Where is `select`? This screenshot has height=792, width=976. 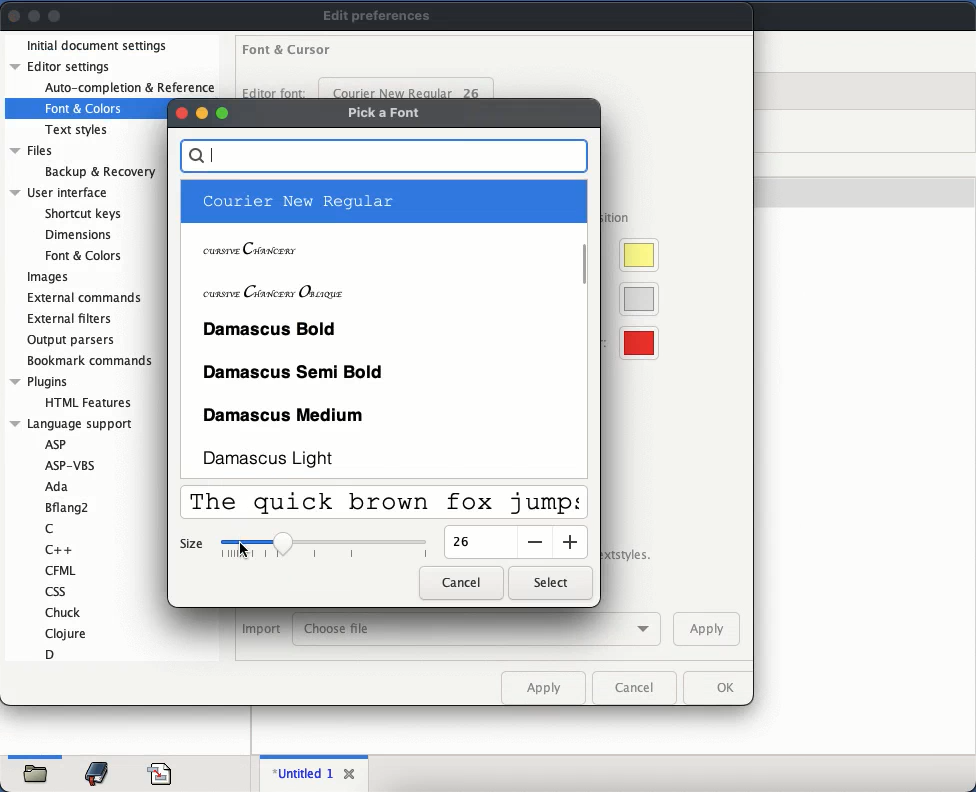
select is located at coordinates (547, 583).